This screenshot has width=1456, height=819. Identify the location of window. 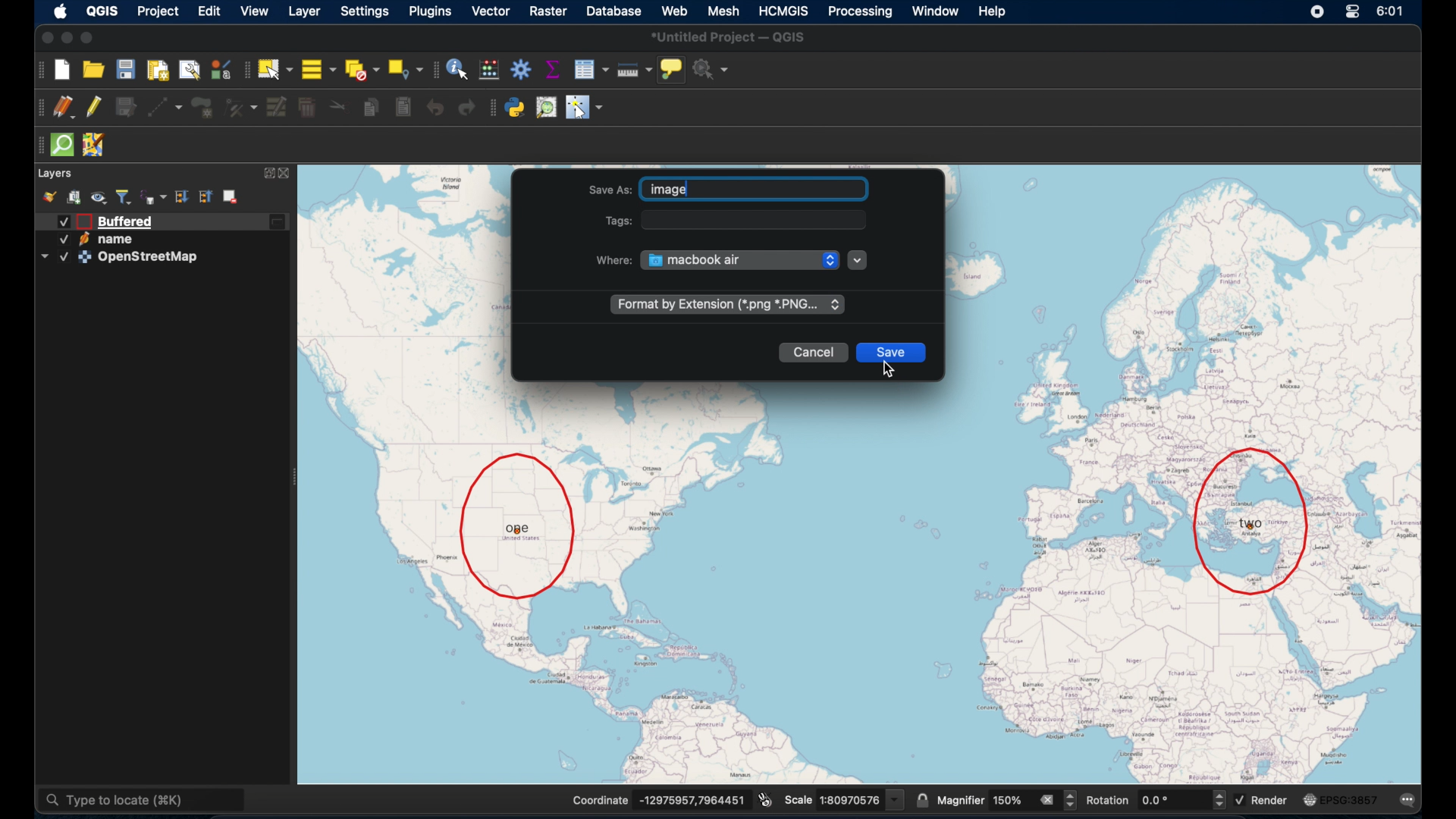
(937, 12).